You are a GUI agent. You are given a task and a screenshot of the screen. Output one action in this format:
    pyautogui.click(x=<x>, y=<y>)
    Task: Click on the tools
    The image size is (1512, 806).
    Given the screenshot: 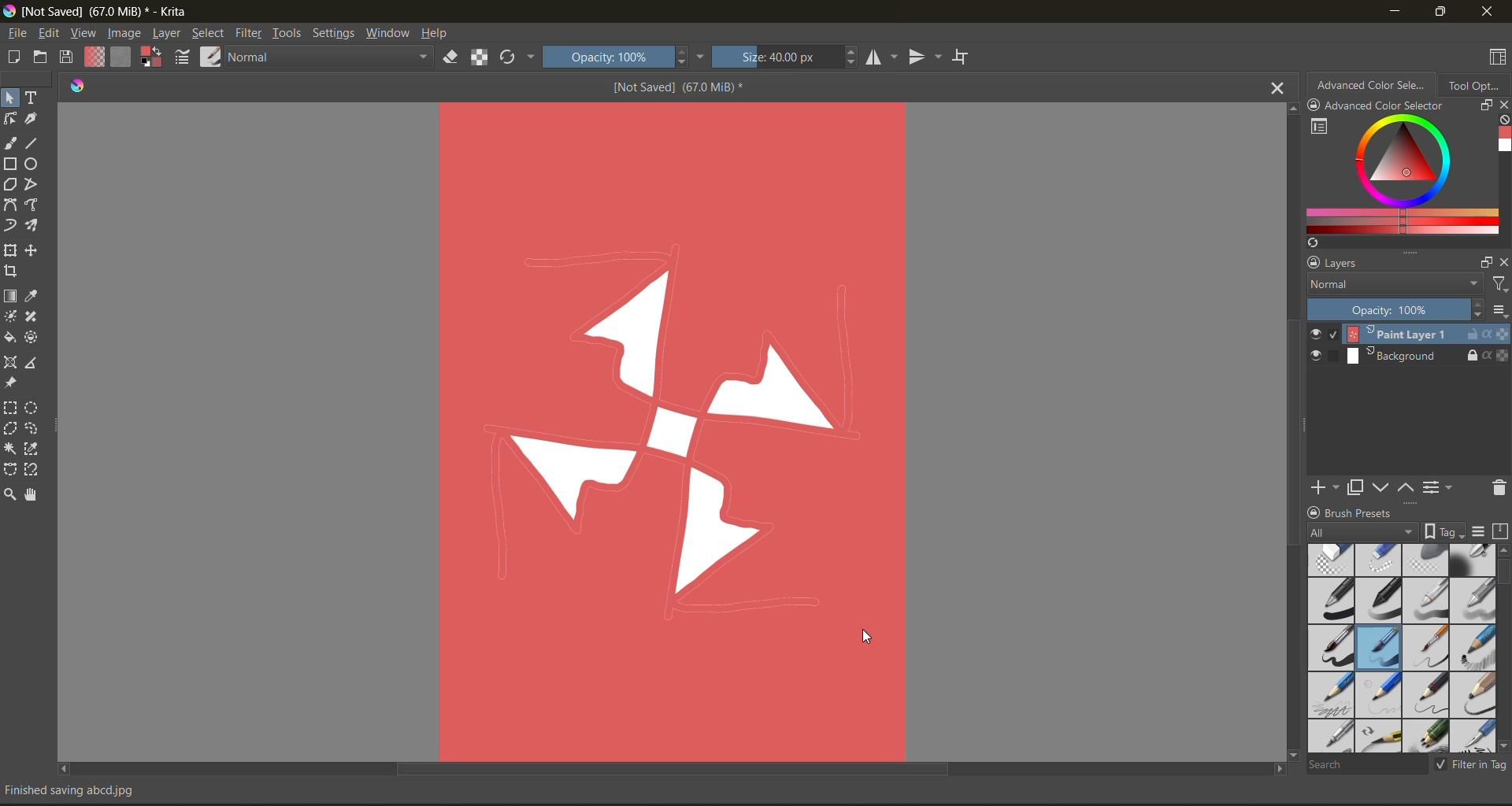 What is the action you would take?
    pyautogui.click(x=11, y=248)
    